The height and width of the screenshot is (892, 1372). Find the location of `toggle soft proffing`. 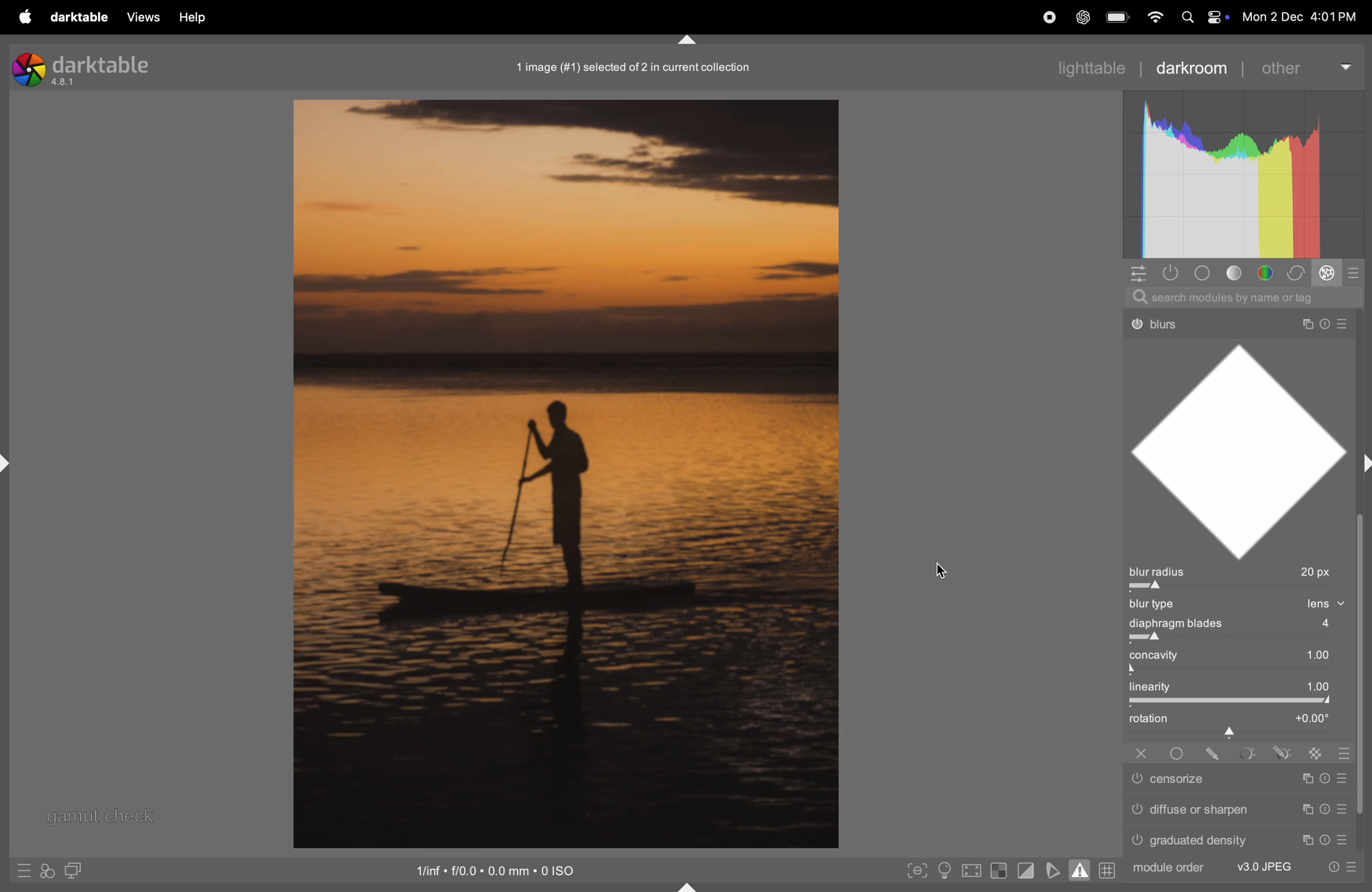

toggle soft proffing is located at coordinates (1051, 870).